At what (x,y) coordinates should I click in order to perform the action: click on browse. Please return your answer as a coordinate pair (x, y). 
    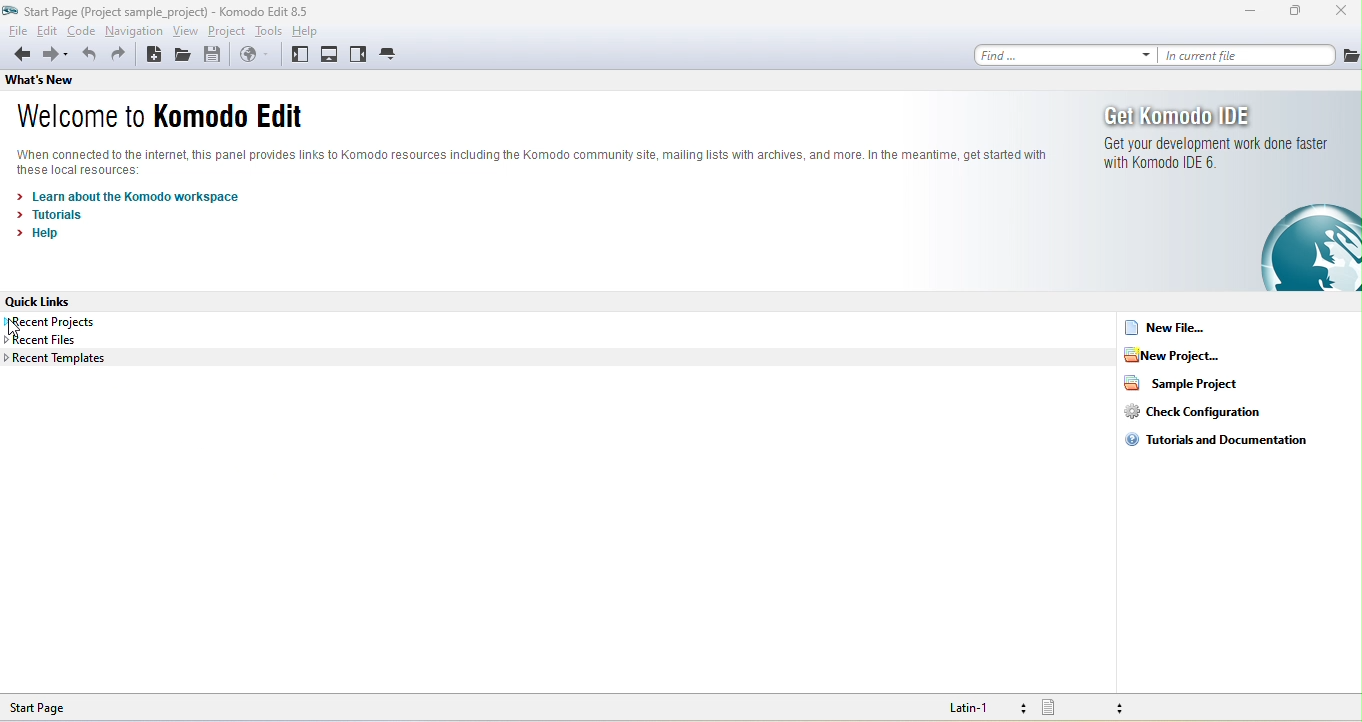
    Looking at the image, I should click on (255, 53).